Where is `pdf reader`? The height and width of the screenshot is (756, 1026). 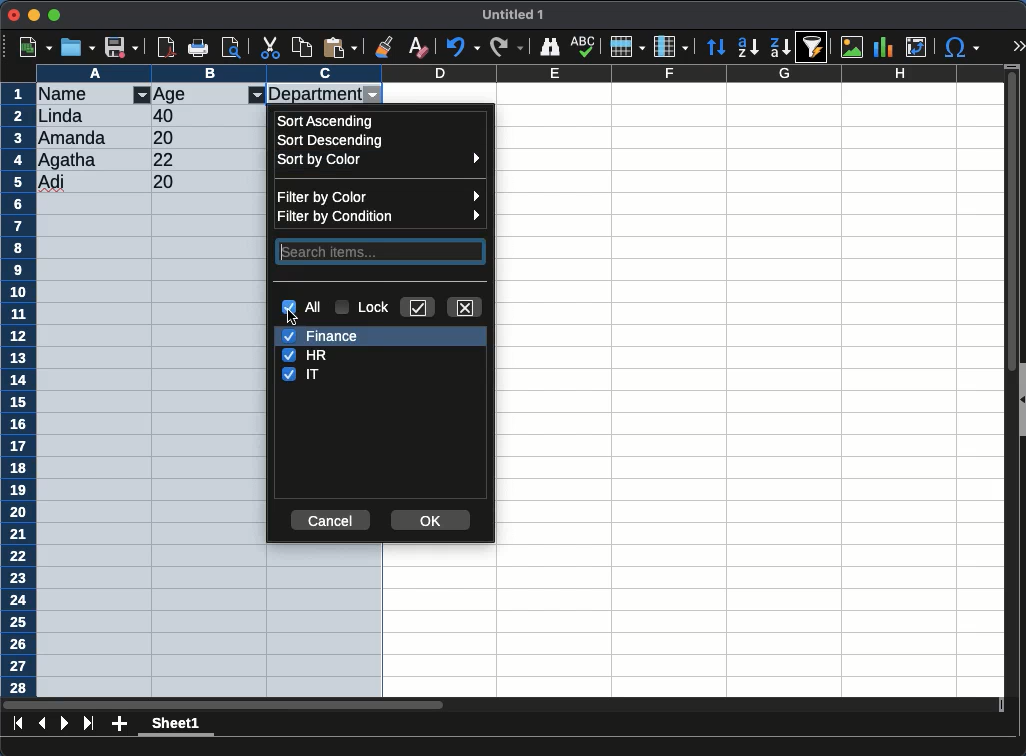
pdf reader is located at coordinates (166, 49).